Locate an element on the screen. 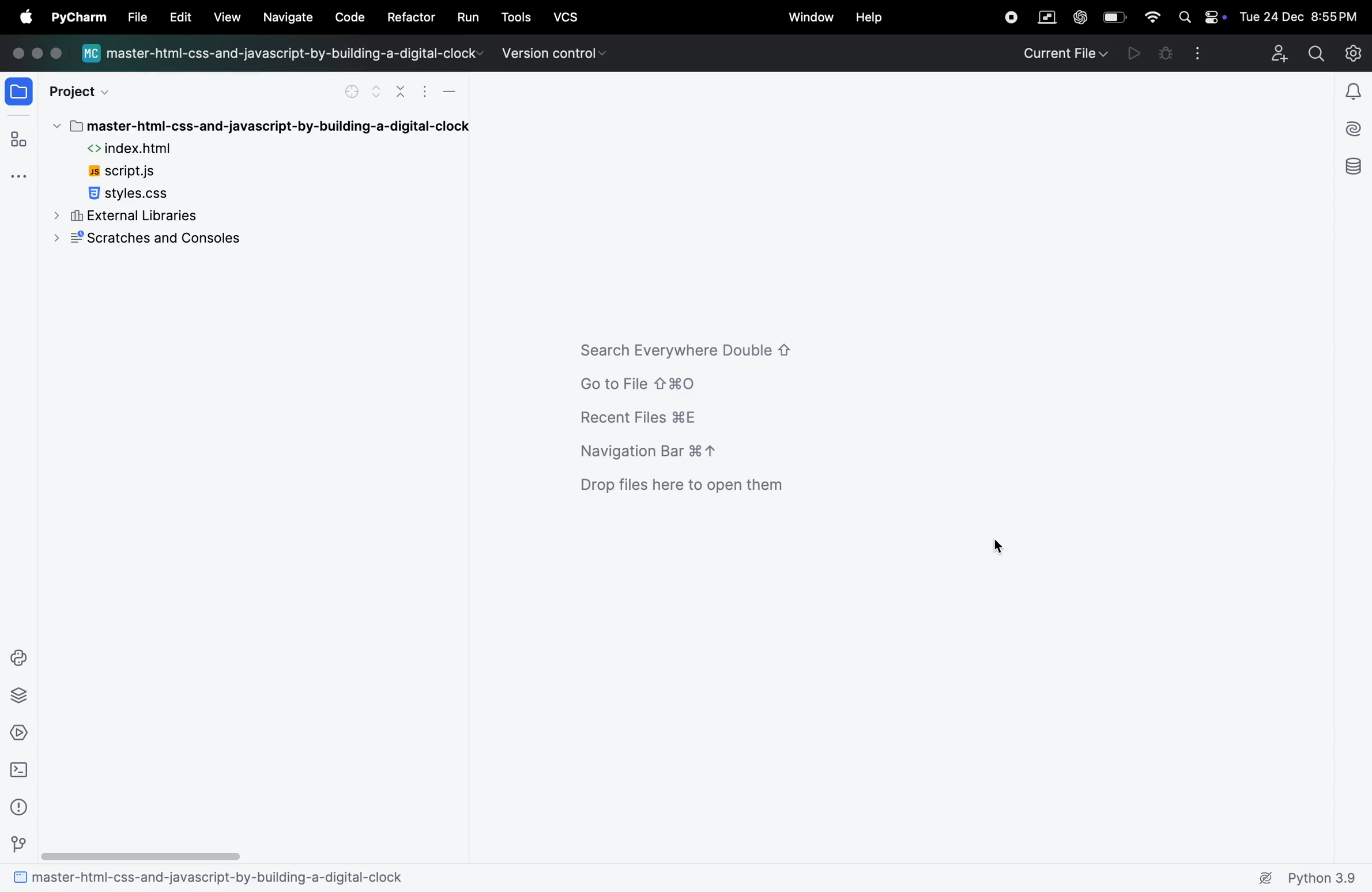 The image size is (1372, 892). master-html-css-and-javascript-by-building-a-digital-clock is located at coordinates (216, 878).